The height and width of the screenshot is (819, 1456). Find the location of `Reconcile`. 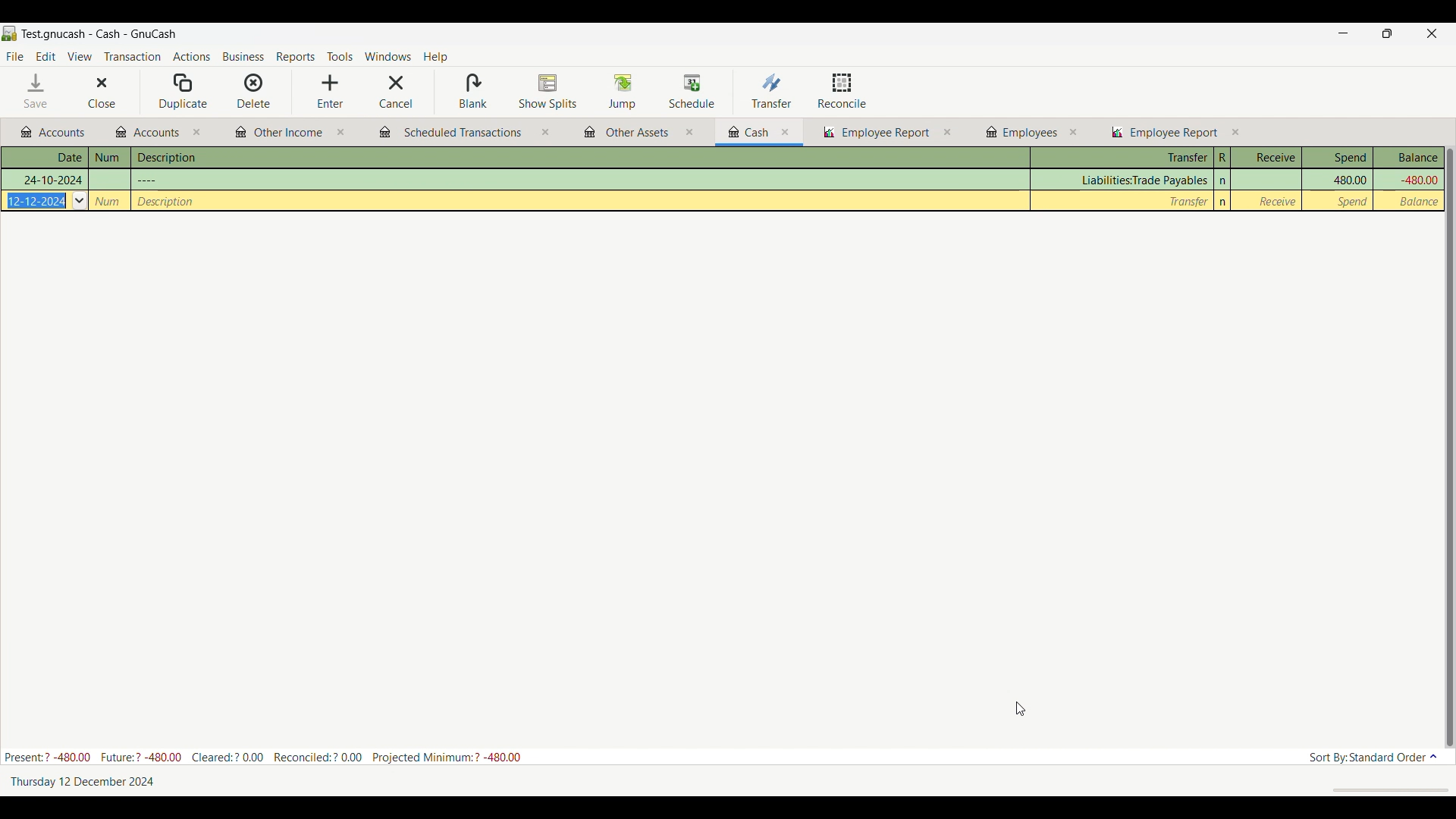

Reconcile is located at coordinates (842, 91).